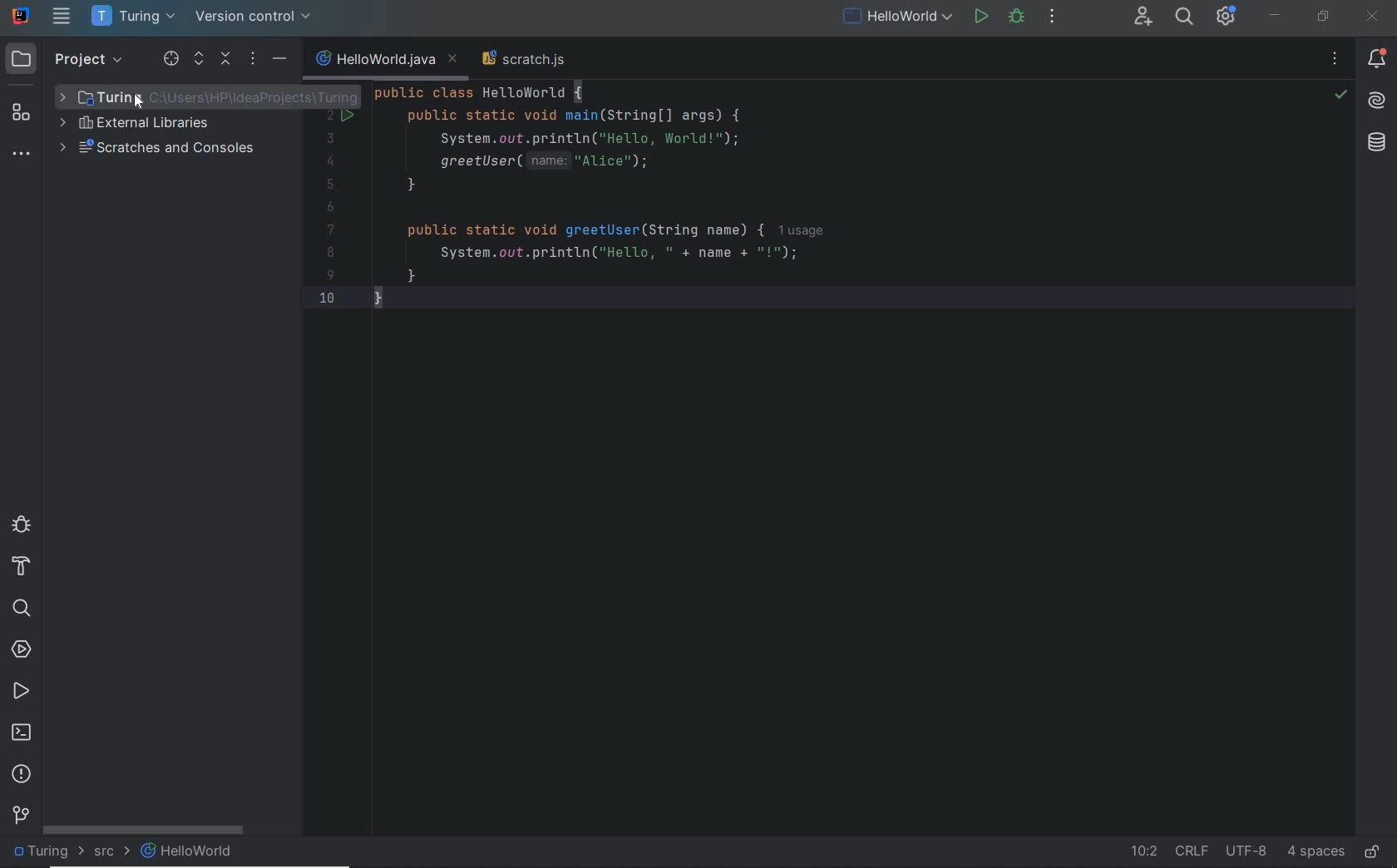  I want to click on structure, so click(23, 114).